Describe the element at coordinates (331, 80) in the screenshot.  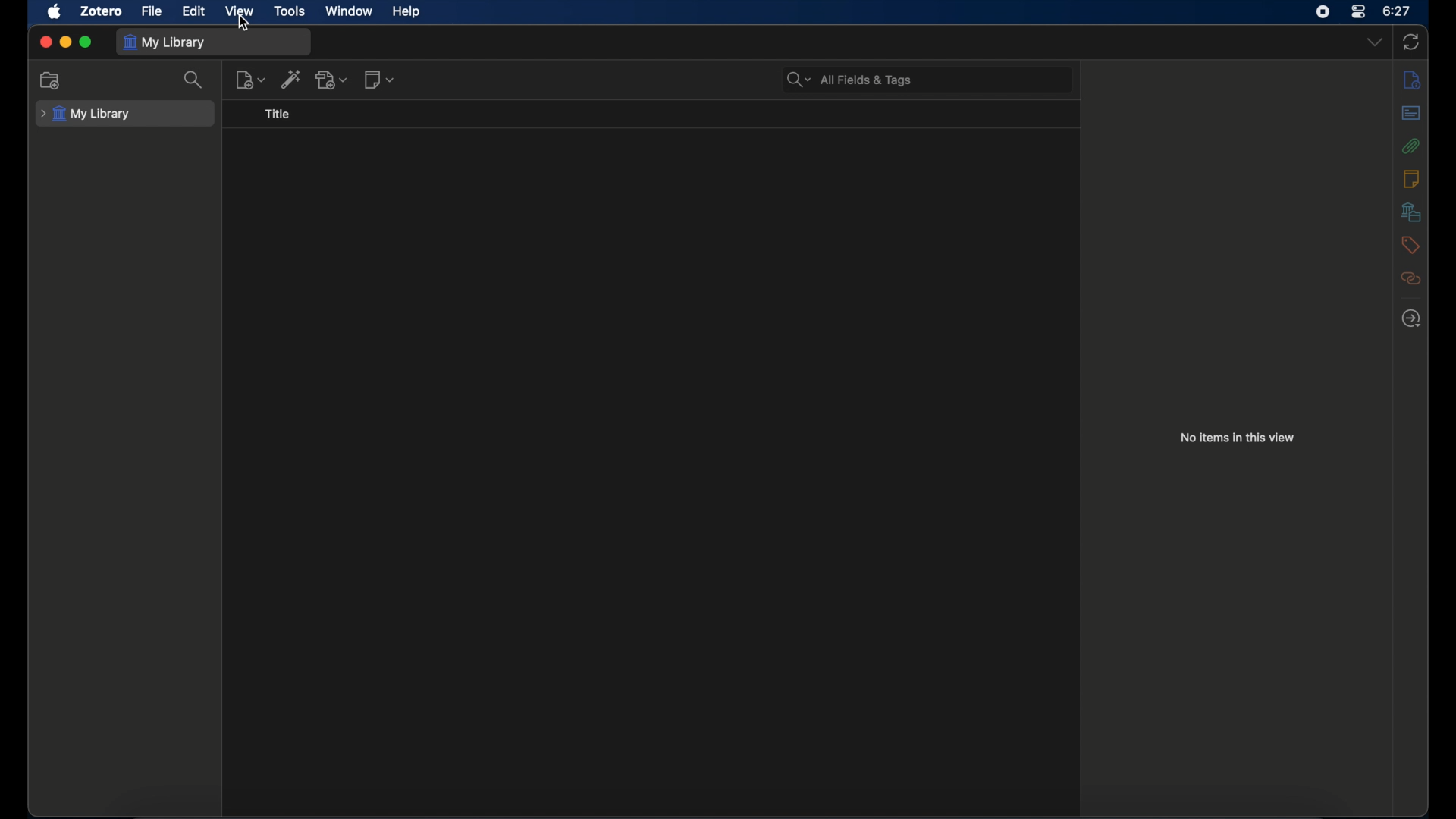
I see `add attachments` at that location.